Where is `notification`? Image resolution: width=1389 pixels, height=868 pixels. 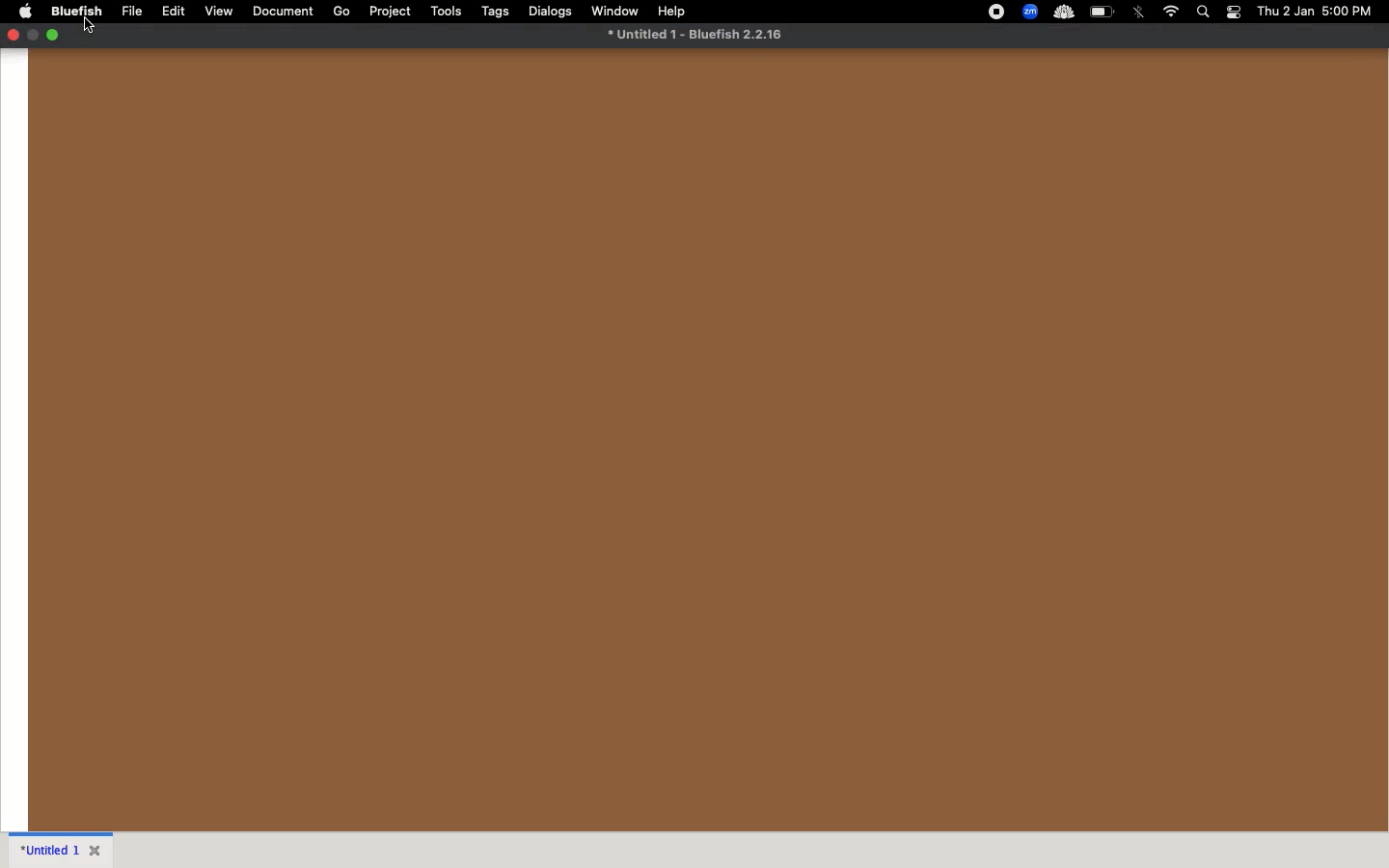 notification is located at coordinates (1234, 12).